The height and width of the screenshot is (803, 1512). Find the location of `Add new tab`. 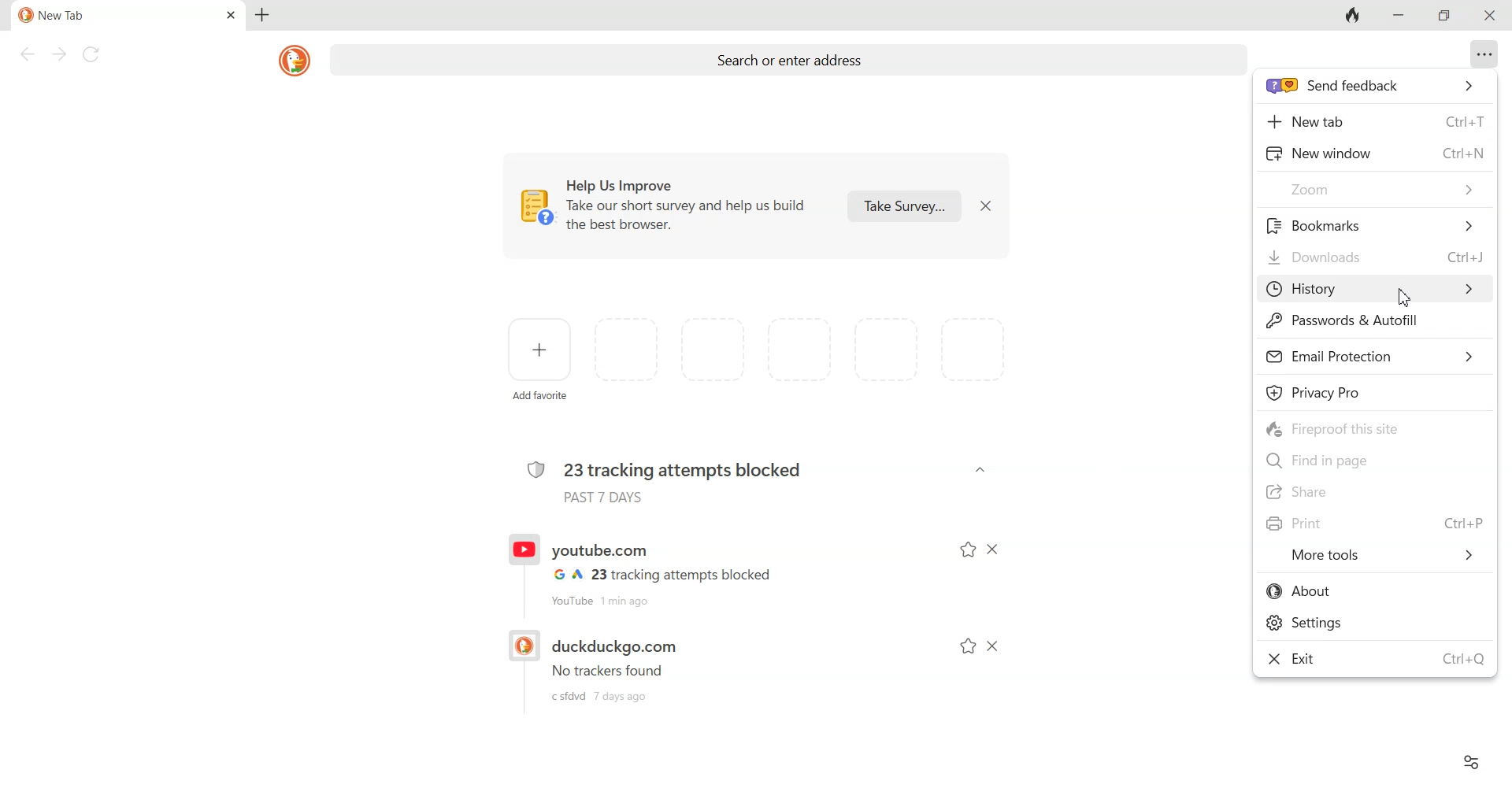

Add new tab is located at coordinates (261, 15).